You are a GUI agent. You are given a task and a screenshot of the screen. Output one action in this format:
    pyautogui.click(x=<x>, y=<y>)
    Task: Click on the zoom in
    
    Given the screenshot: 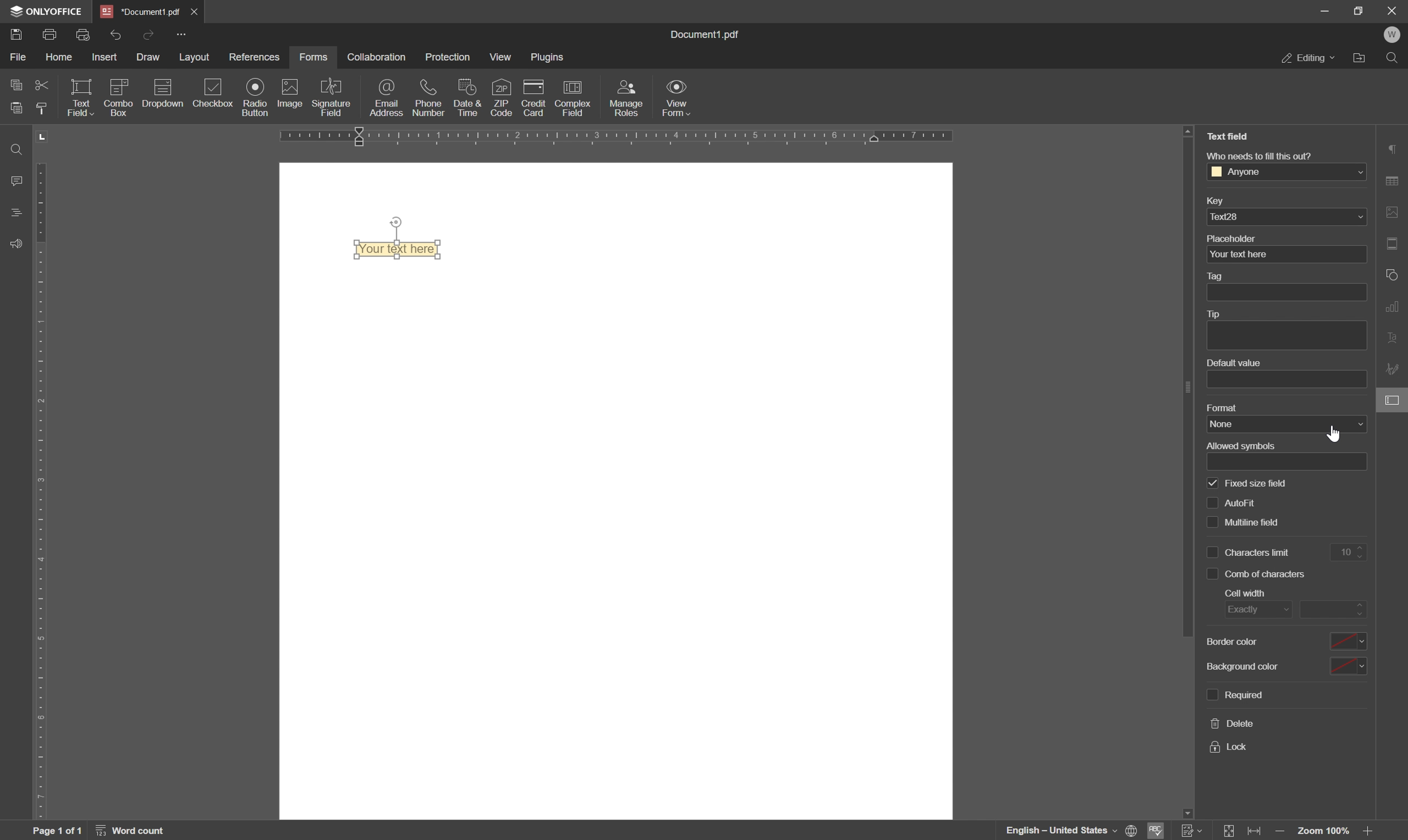 What is the action you would take?
    pyautogui.click(x=1283, y=832)
    